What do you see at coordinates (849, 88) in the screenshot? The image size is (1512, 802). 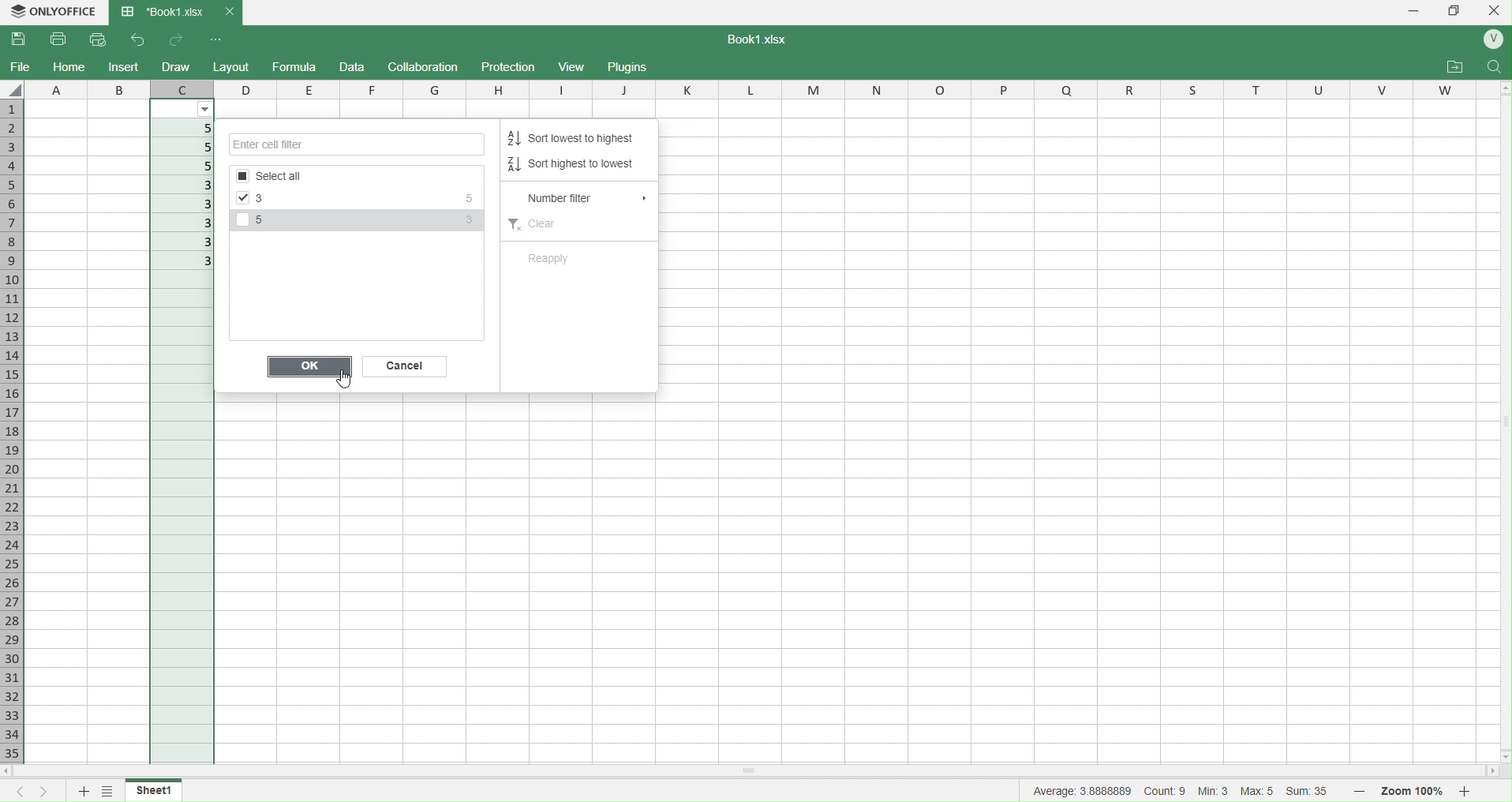 I see `columns` at bounding box center [849, 88].